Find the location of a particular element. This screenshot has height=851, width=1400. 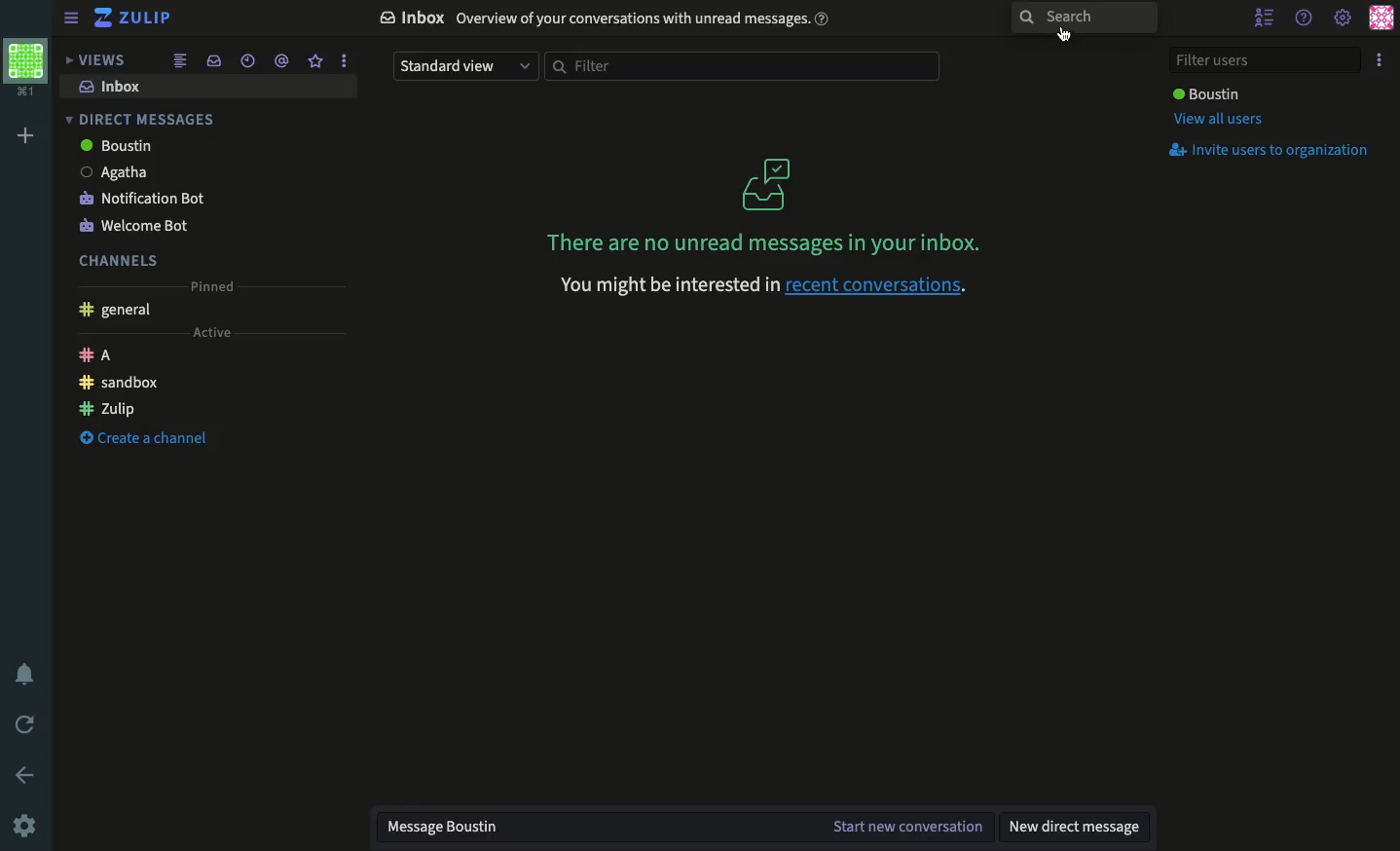

Notification bot is located at coordinates (147, 200).